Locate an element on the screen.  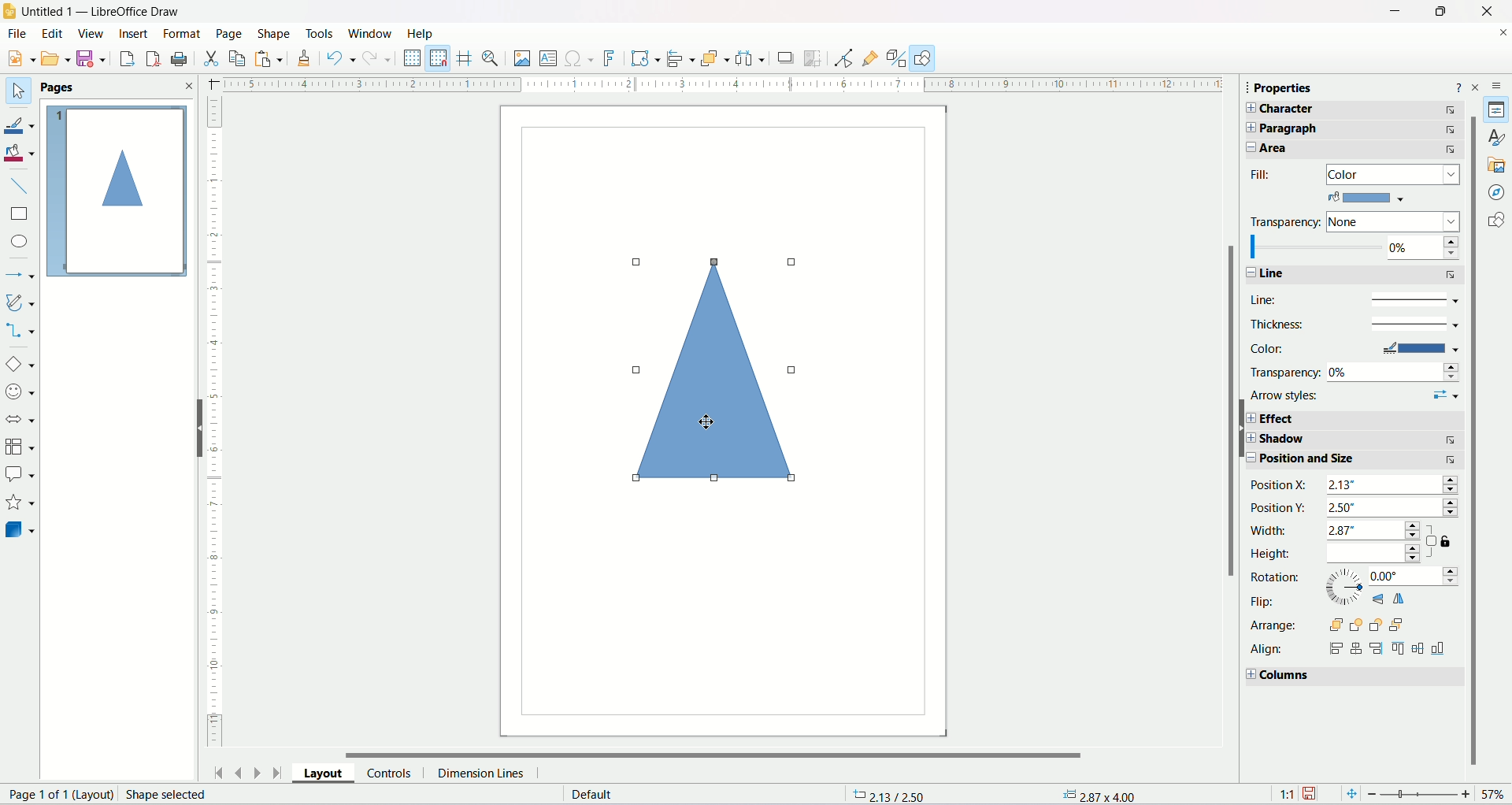
Zoom is located at coordinates (1425, 794).